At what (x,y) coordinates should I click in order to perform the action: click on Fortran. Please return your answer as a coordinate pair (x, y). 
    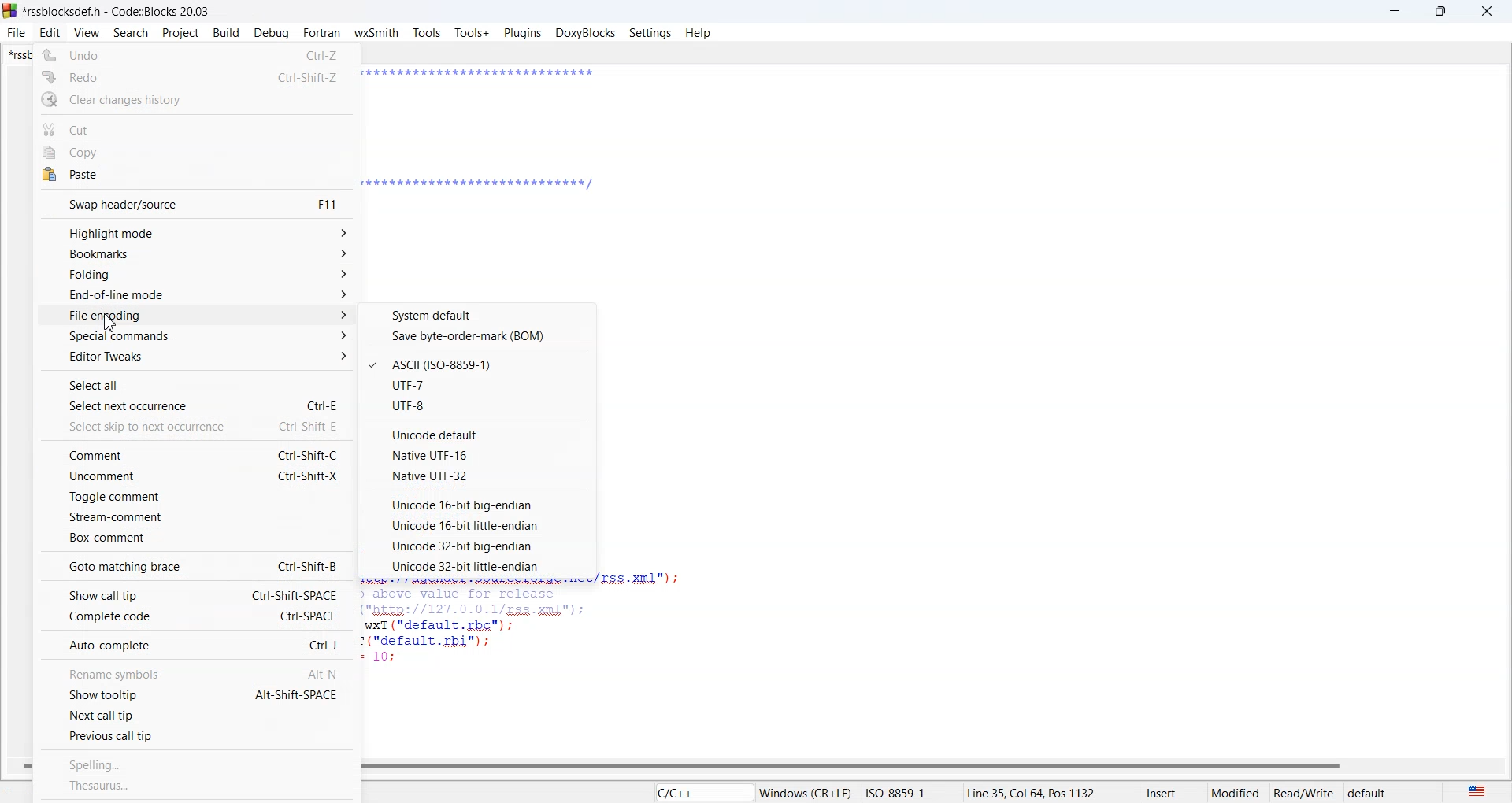
    Looking at the image, I should click on (321, 33).